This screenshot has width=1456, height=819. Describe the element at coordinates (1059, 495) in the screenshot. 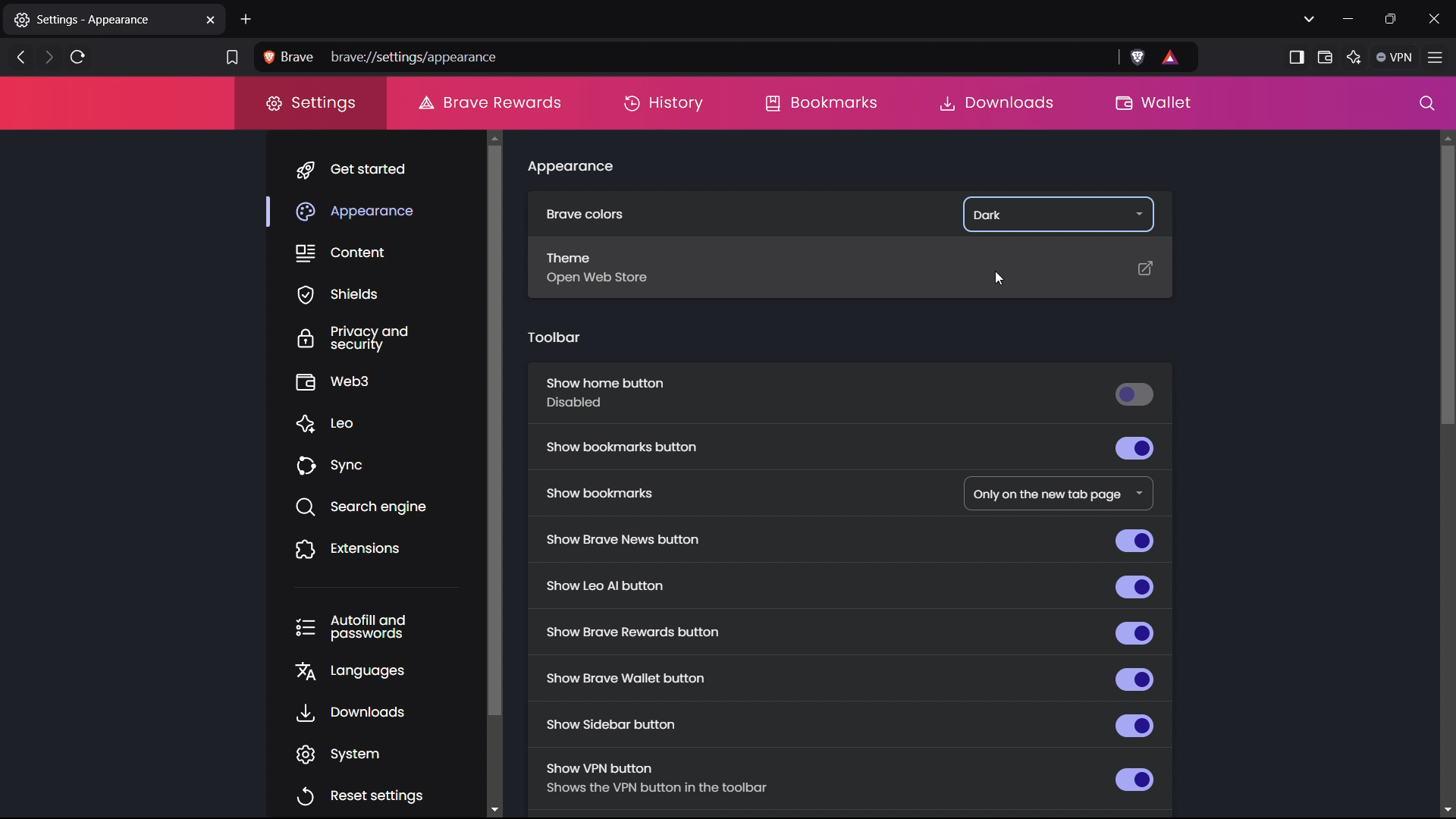

I see `Only on the new tab page ` at that location.